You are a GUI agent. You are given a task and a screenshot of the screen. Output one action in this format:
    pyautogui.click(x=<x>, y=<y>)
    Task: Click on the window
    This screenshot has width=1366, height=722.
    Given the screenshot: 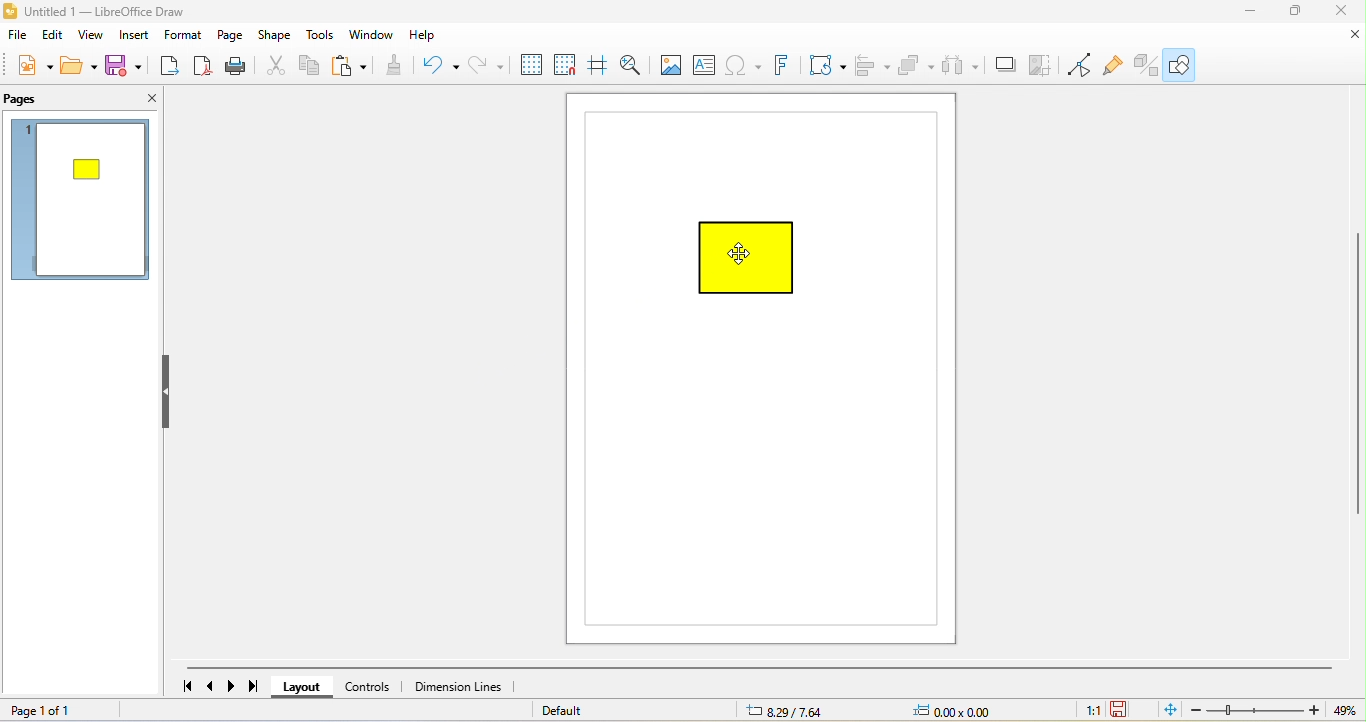 What is the action you would take?
    pyautogui.click(x=375, y=35)
    